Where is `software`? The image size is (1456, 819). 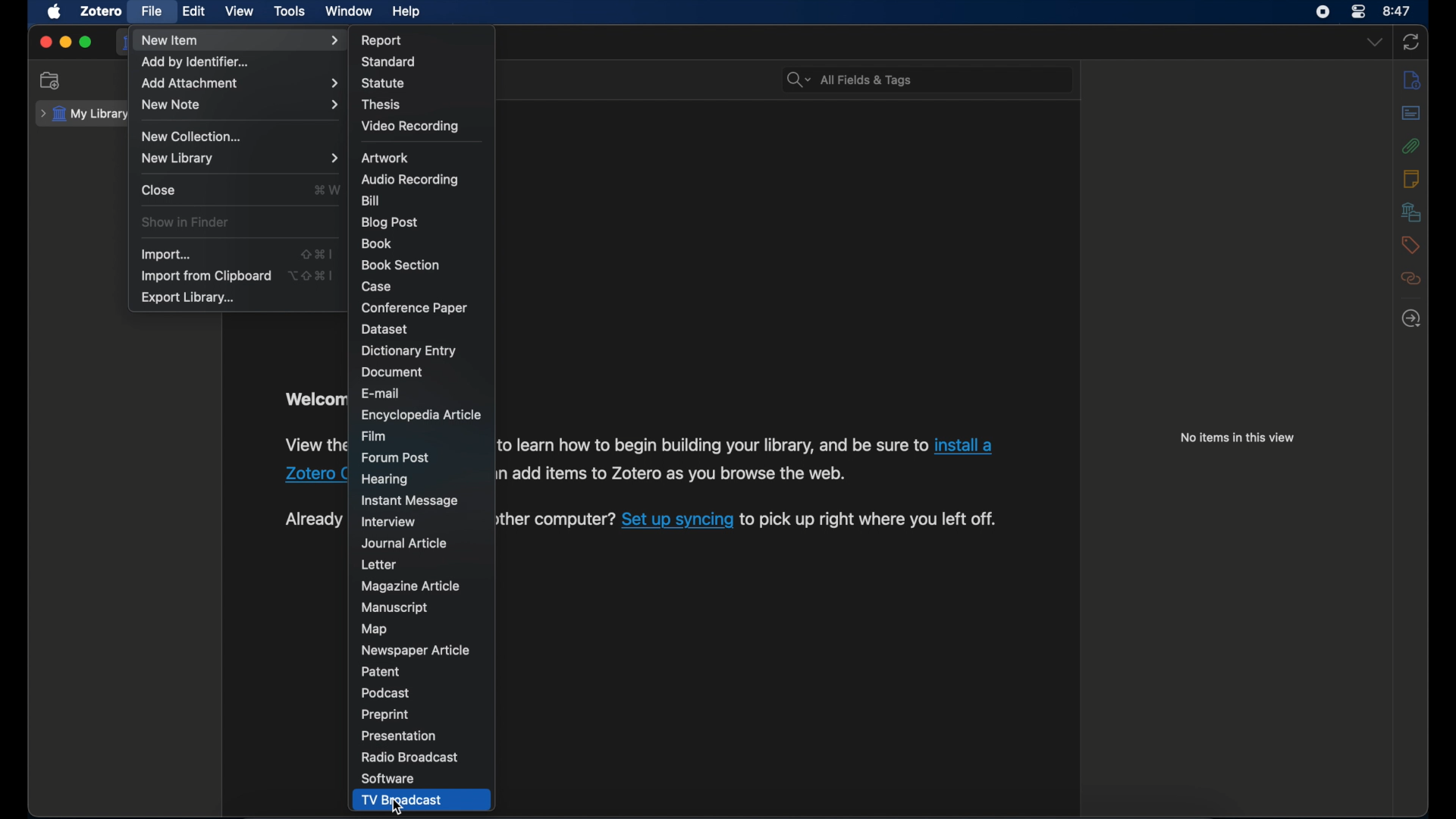
software is located at coordinates (391, 780).